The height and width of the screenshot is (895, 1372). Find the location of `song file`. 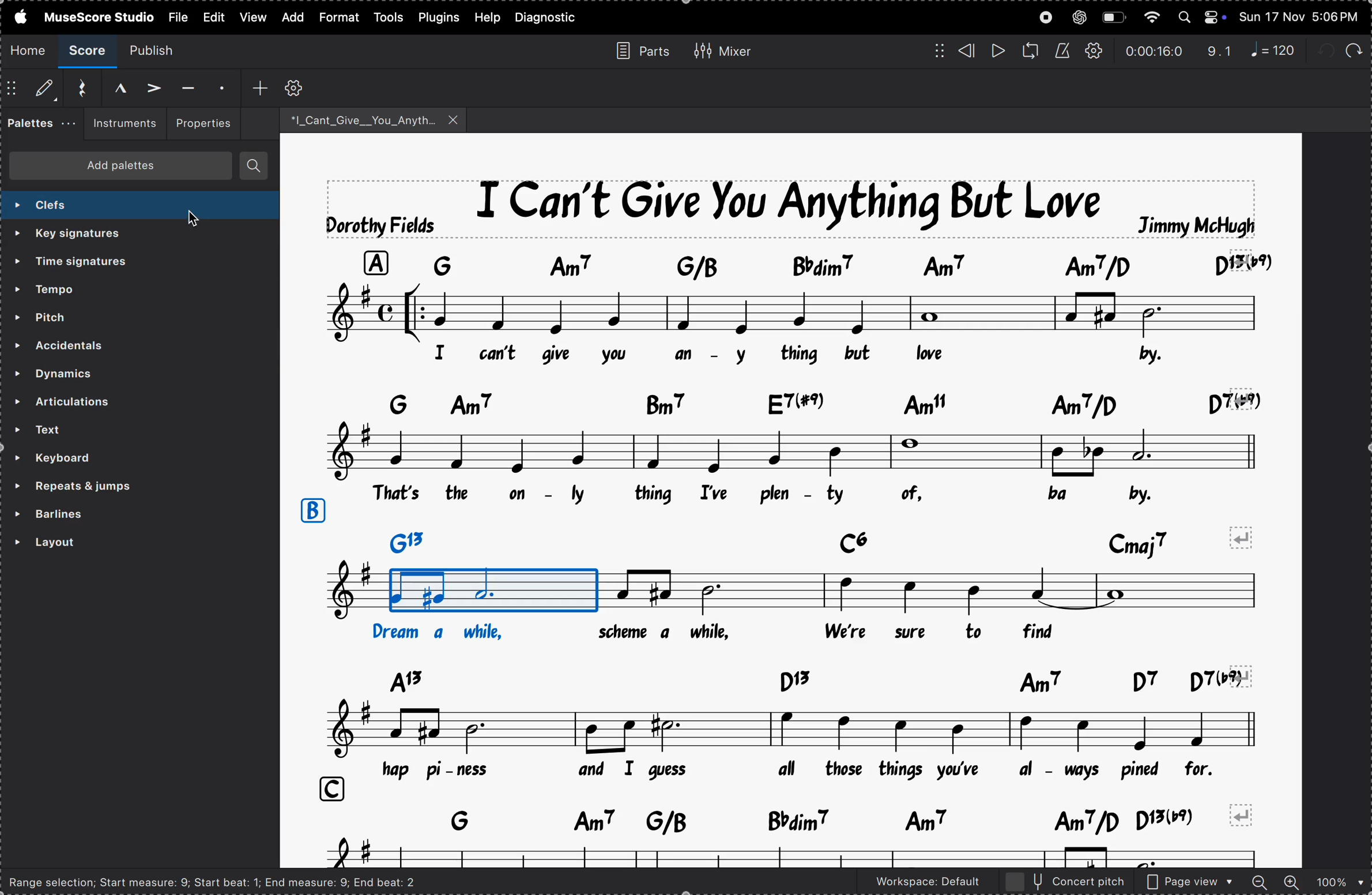

song file is located at coordinates (374, 119).